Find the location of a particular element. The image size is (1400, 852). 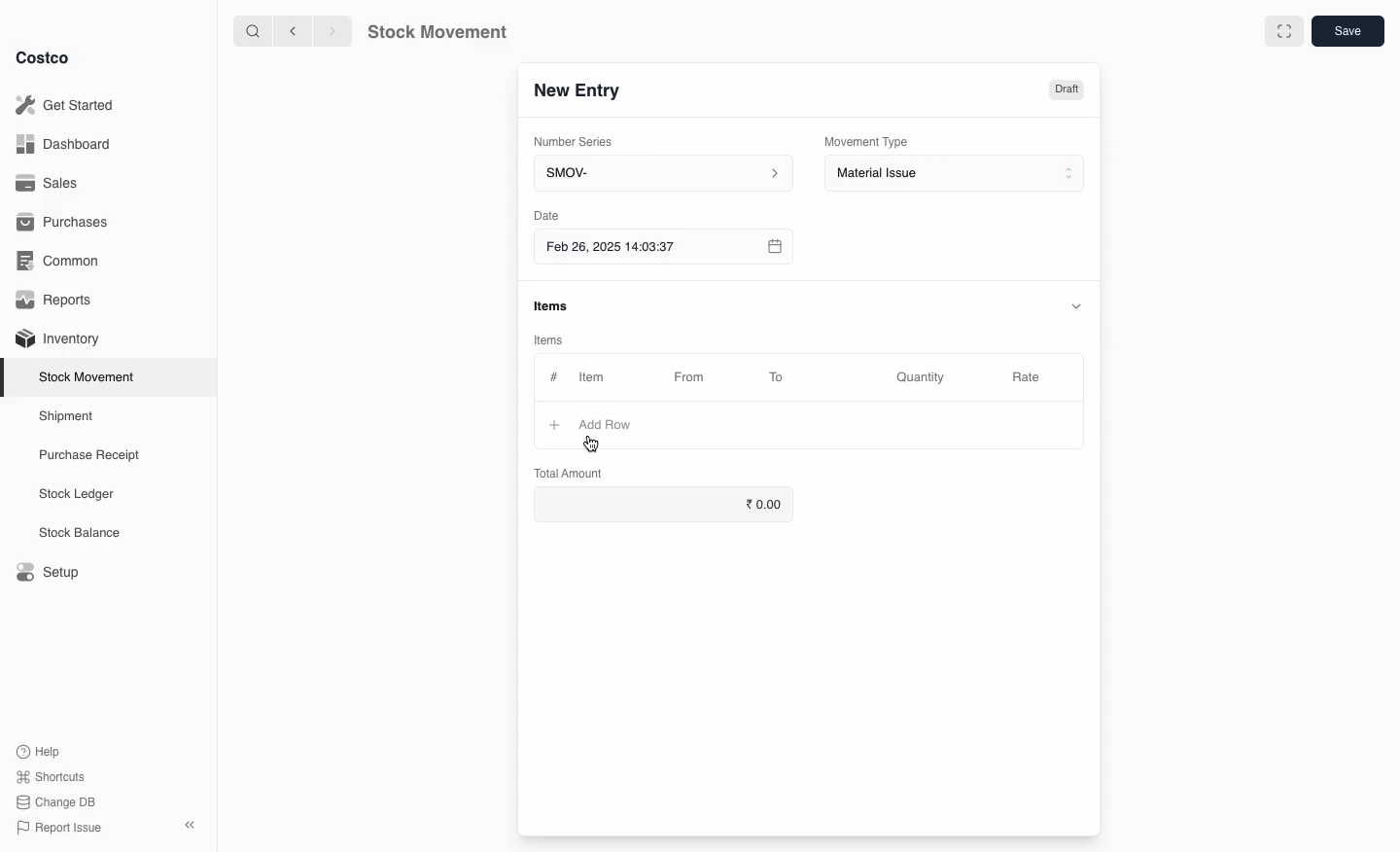

Purchases is located at coordinates (66, 224).